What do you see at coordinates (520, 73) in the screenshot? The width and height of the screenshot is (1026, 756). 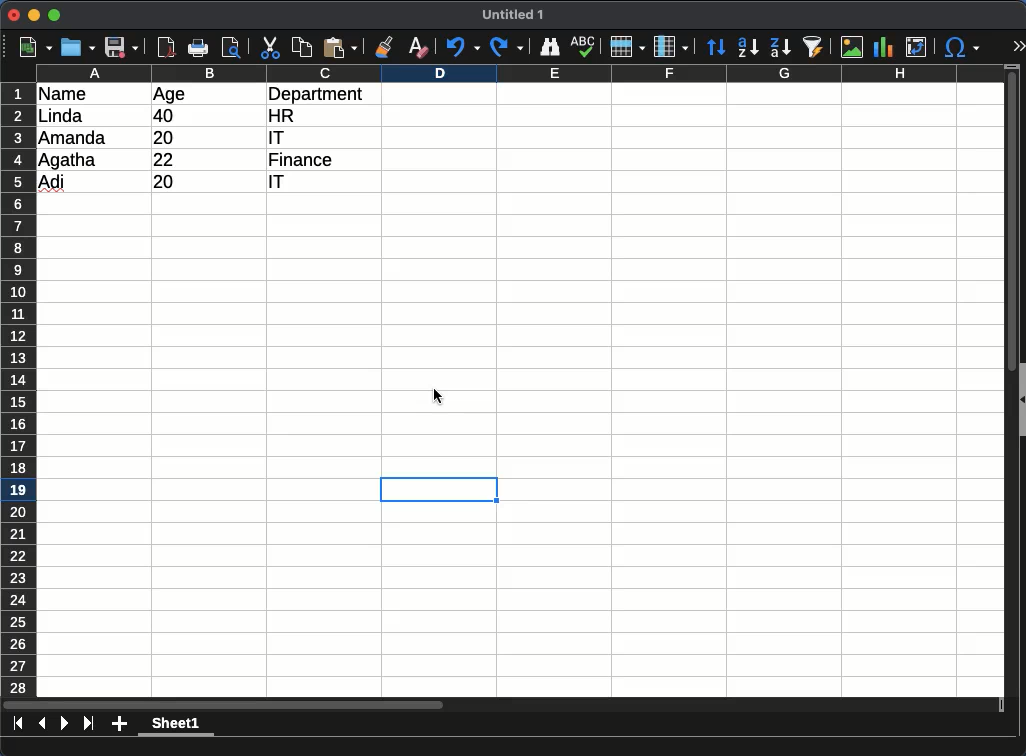 I see `columns` at bounding box center [520, 73].